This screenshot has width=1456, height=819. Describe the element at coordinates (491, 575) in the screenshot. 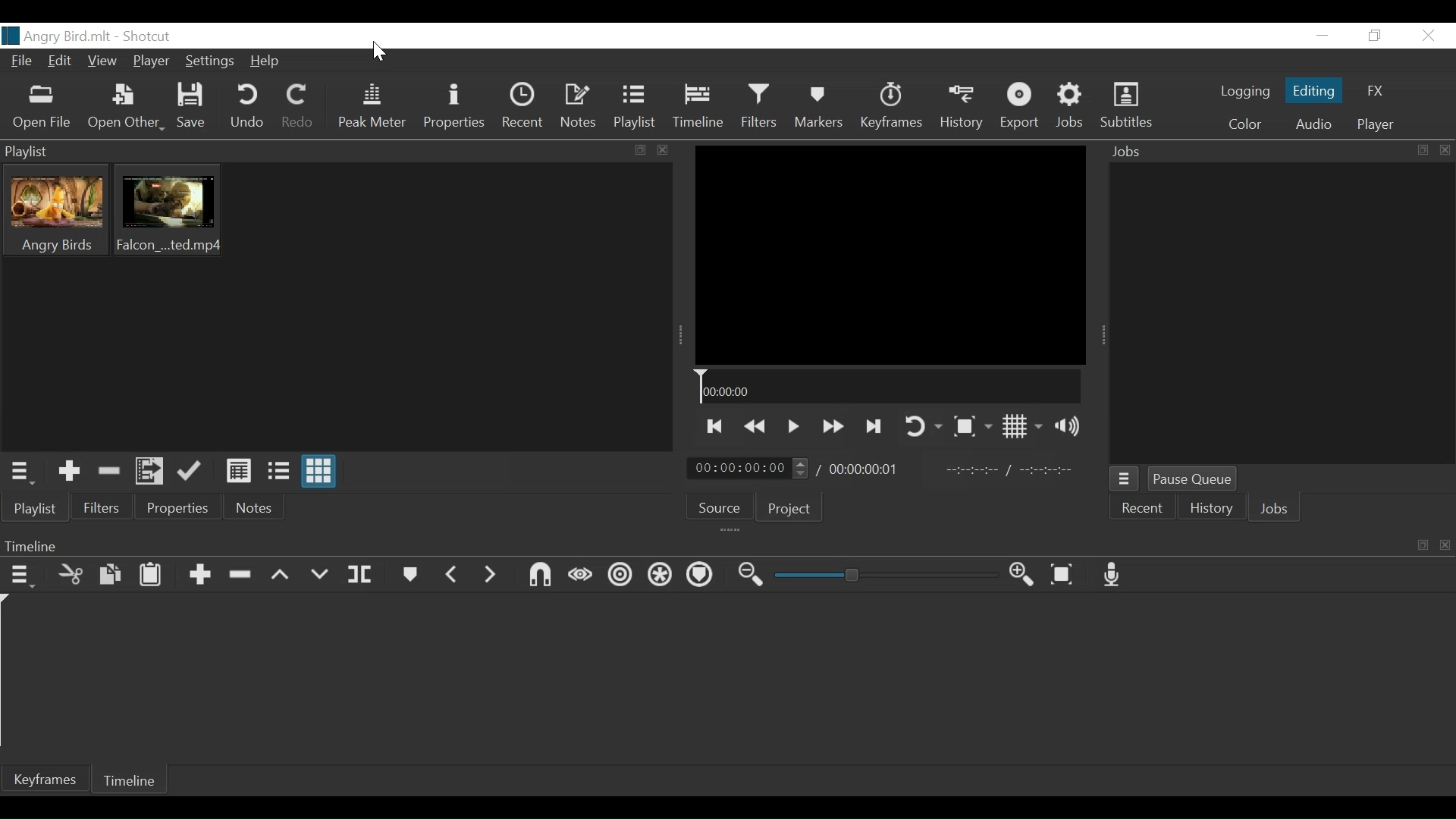

I see `Next Marker` at that location.